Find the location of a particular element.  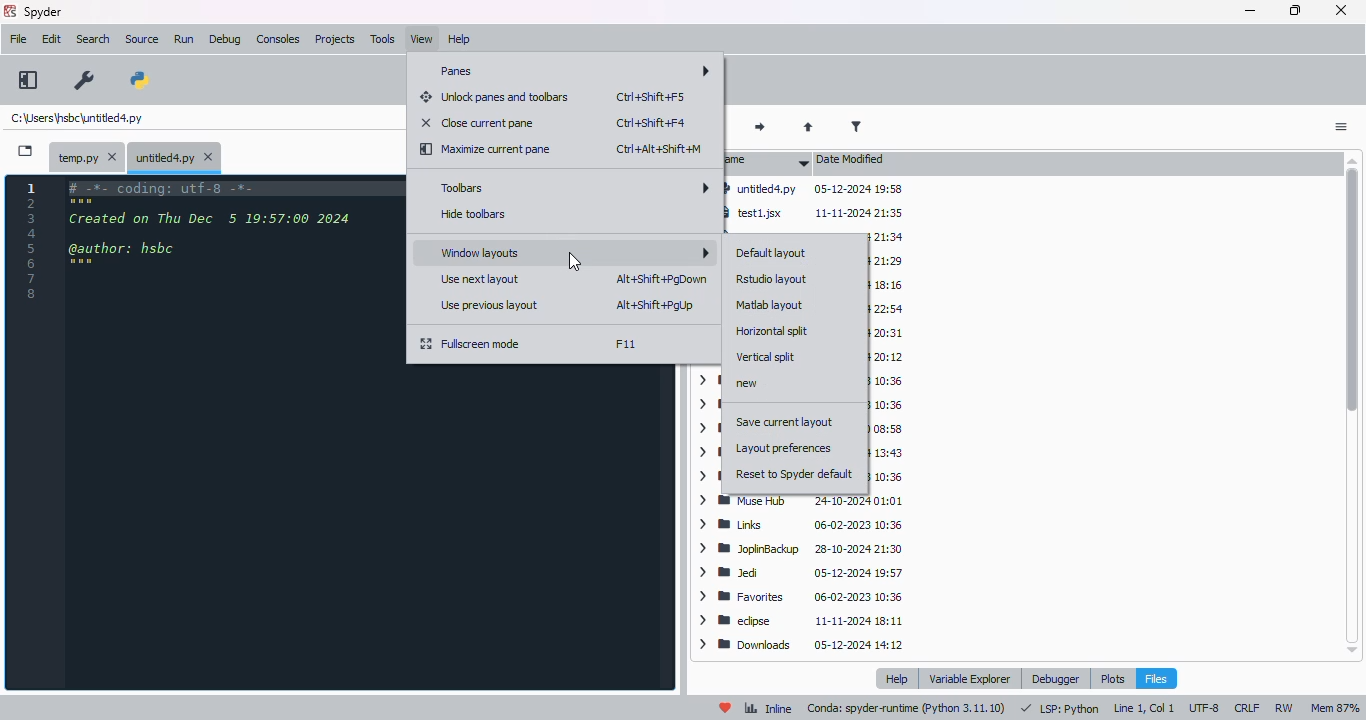

help spyder! is located at coordinates (726, 708).